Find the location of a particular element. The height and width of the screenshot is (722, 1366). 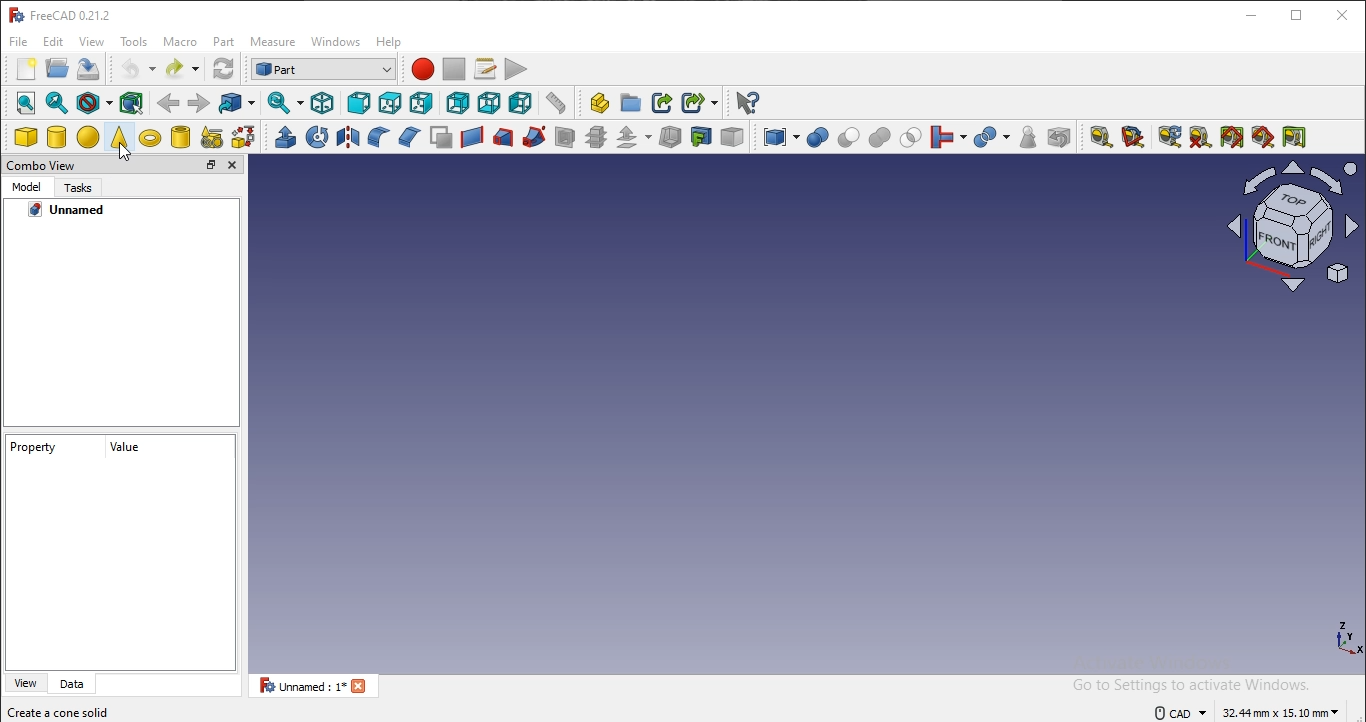

file is located at coordinates (21, 40).